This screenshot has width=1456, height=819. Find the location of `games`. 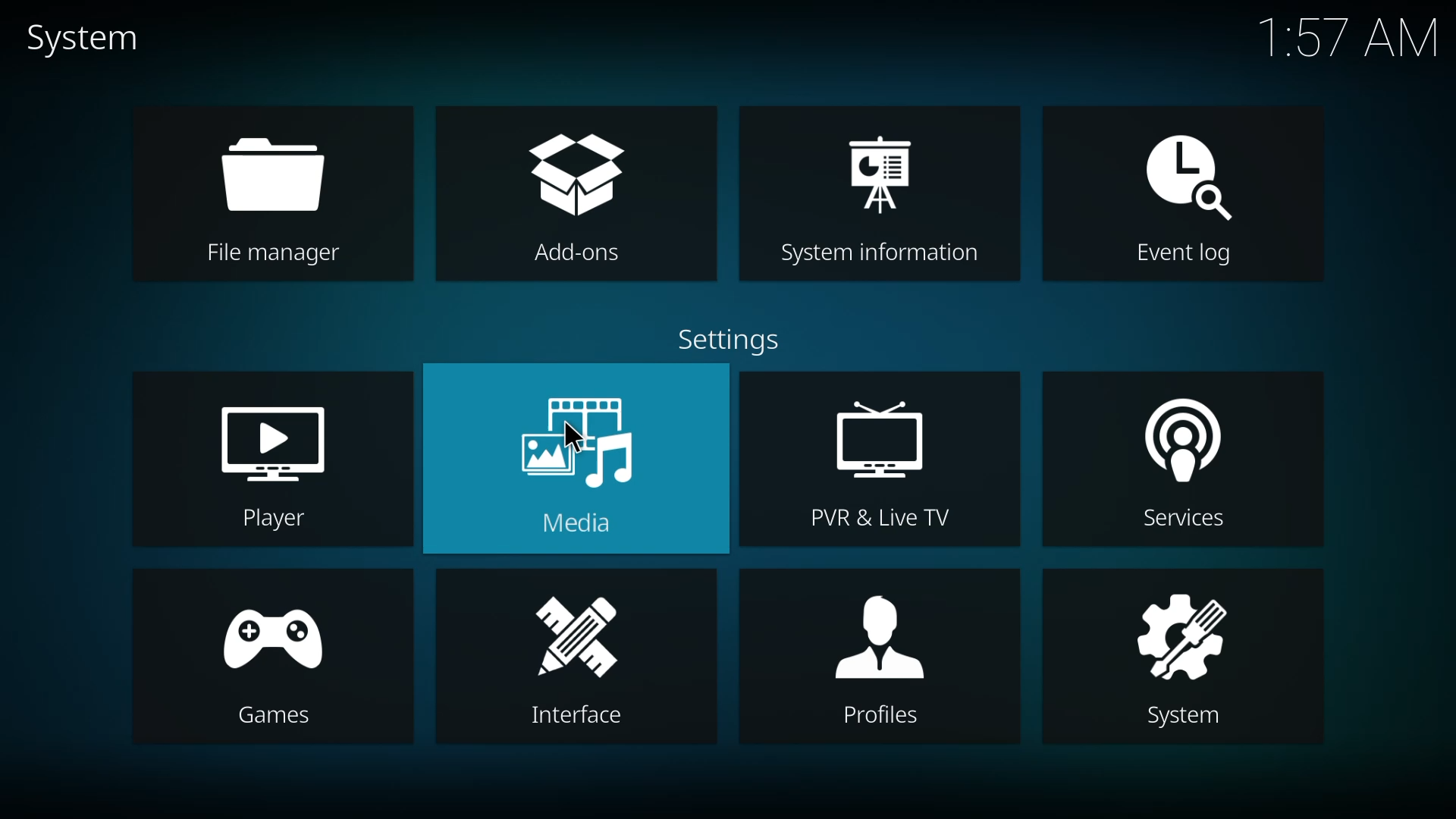

games is located at coordinates (275, 659).